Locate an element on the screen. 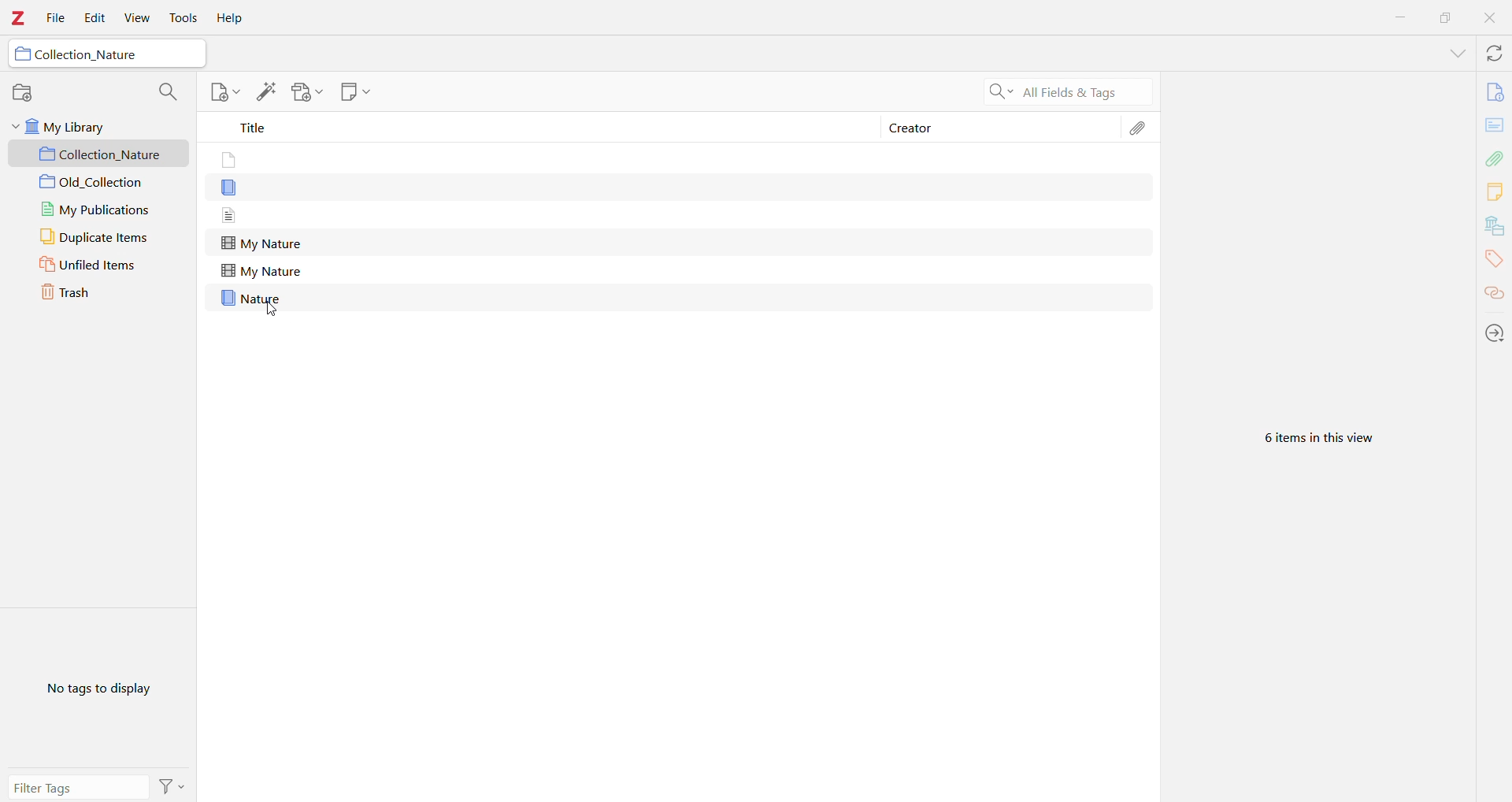  Edit is located at coordinates (91, 19).